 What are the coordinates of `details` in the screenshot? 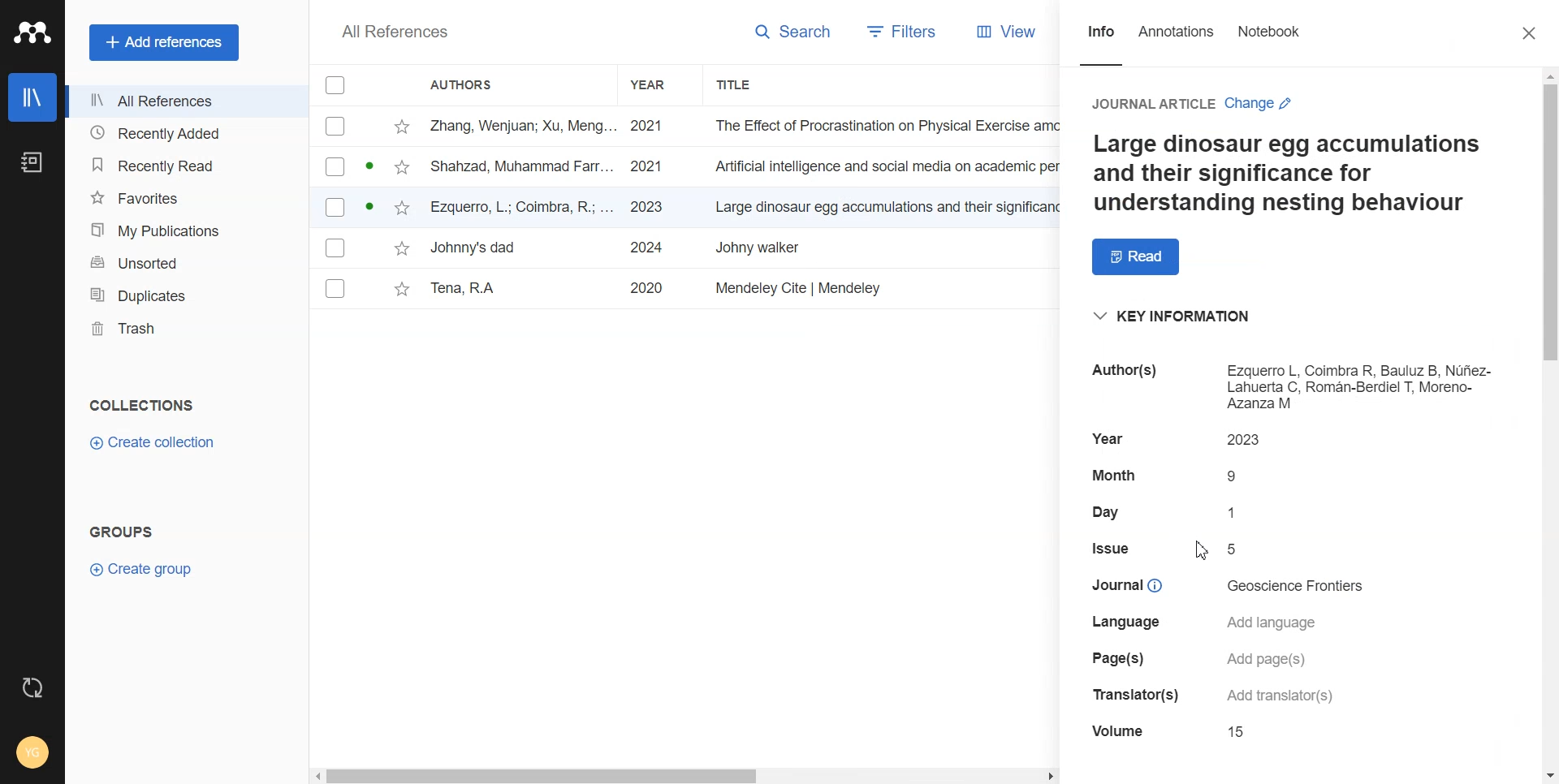 It's located at (1119, 659).